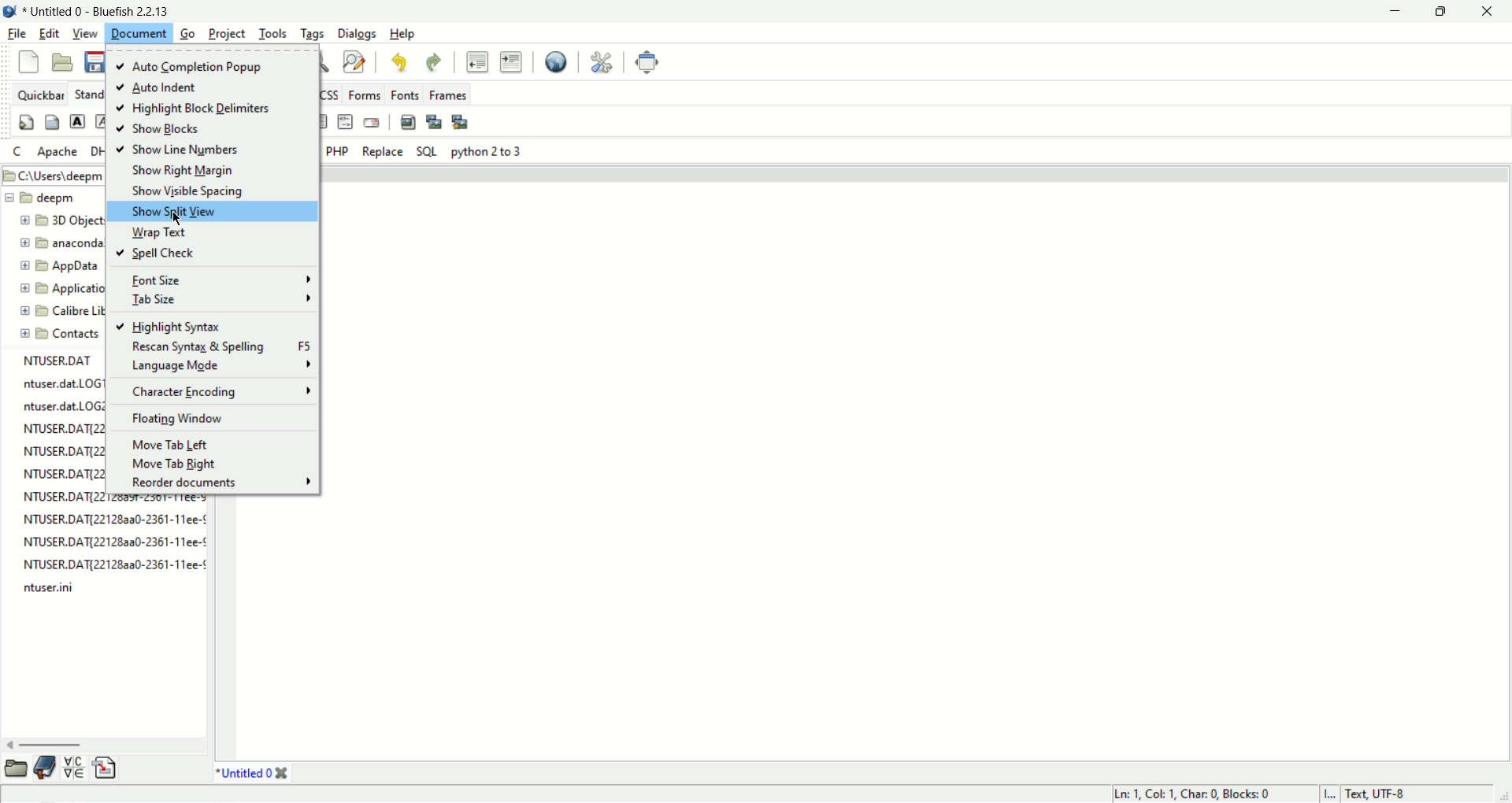 This screenshot has width=1512, height=803. Describe the element at coordinates (1206, 794) in the screenshot. I see `Ln 1, Col 1, Char 0, Blocks:0` at that location.